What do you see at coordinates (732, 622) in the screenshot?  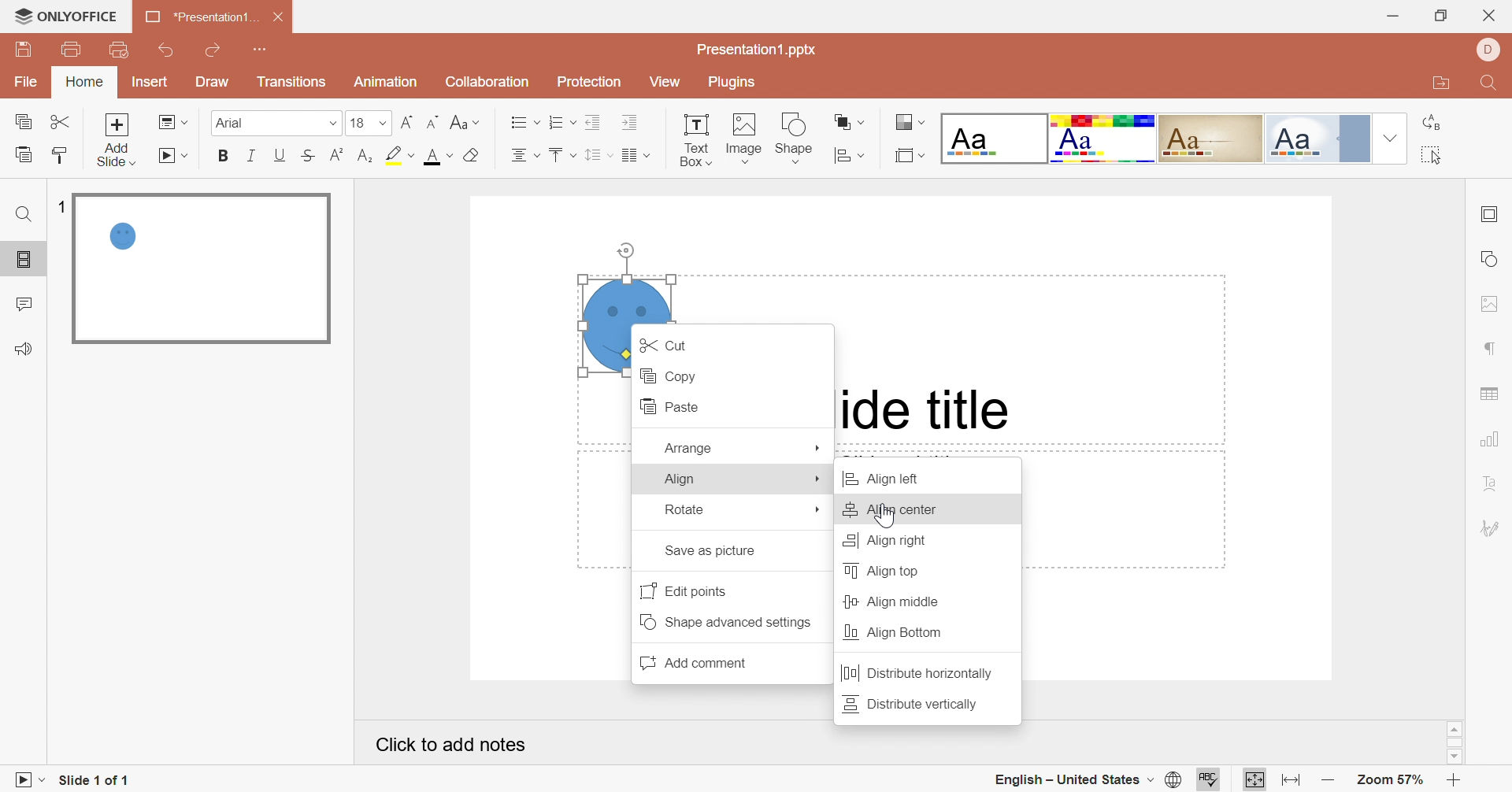 I see `Shape advanced settings` at bounding box center [732, 622].